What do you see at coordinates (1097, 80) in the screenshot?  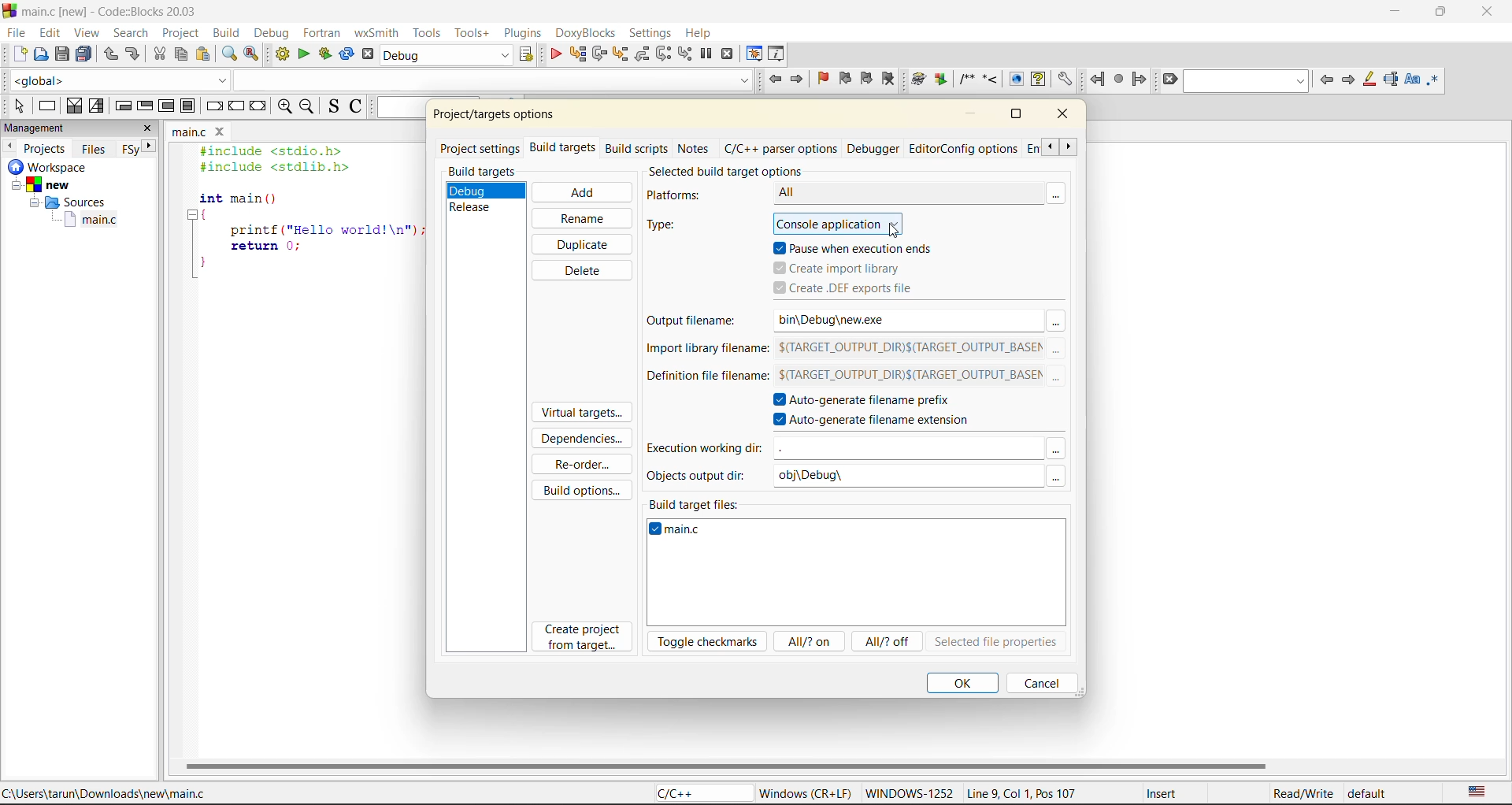 I see `jump back` at bounding box center [1097, 80].